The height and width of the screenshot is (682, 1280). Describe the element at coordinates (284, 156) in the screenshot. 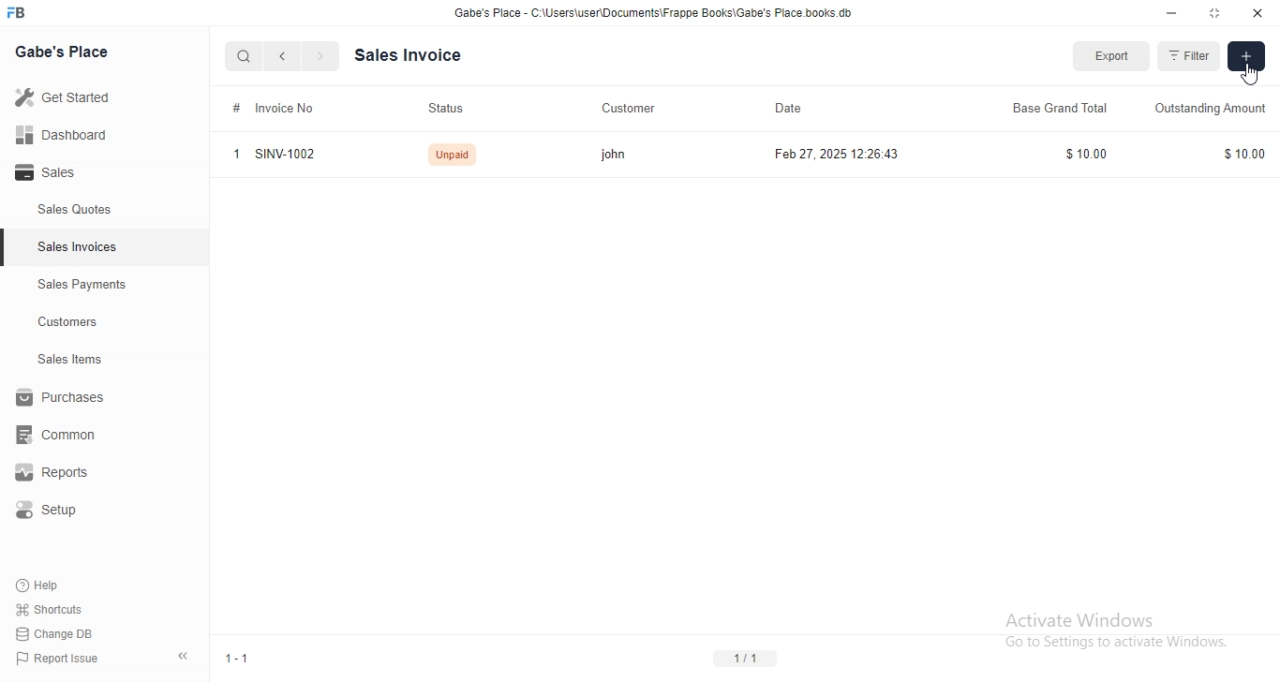

I see `1 SINV-1002` at that location.